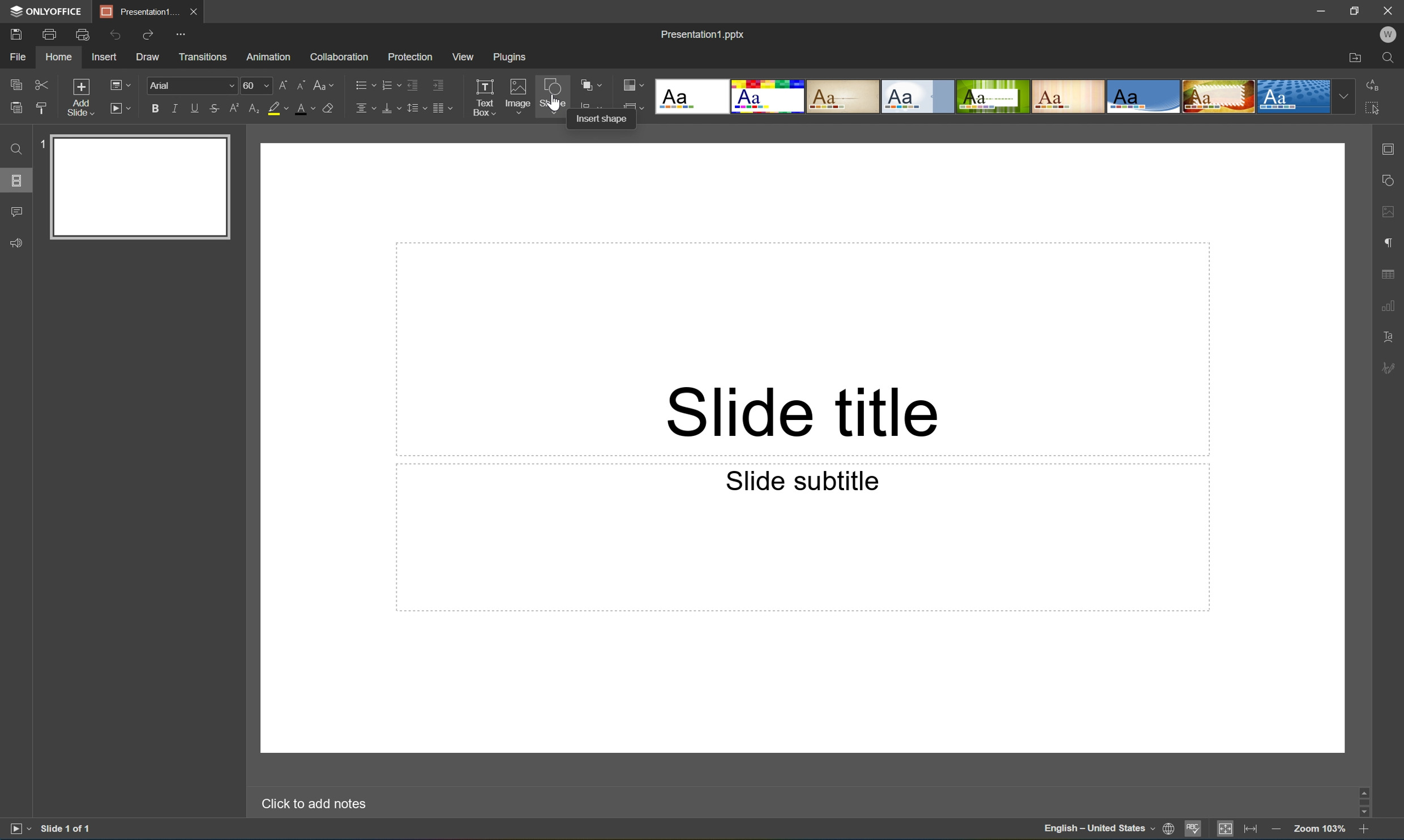 Image resolution: width=1404 pixels, height=840 pixels. What do you see at coordinates (194, 11) in the screenshot?
I see `Close` at bounding box center [194, 11].